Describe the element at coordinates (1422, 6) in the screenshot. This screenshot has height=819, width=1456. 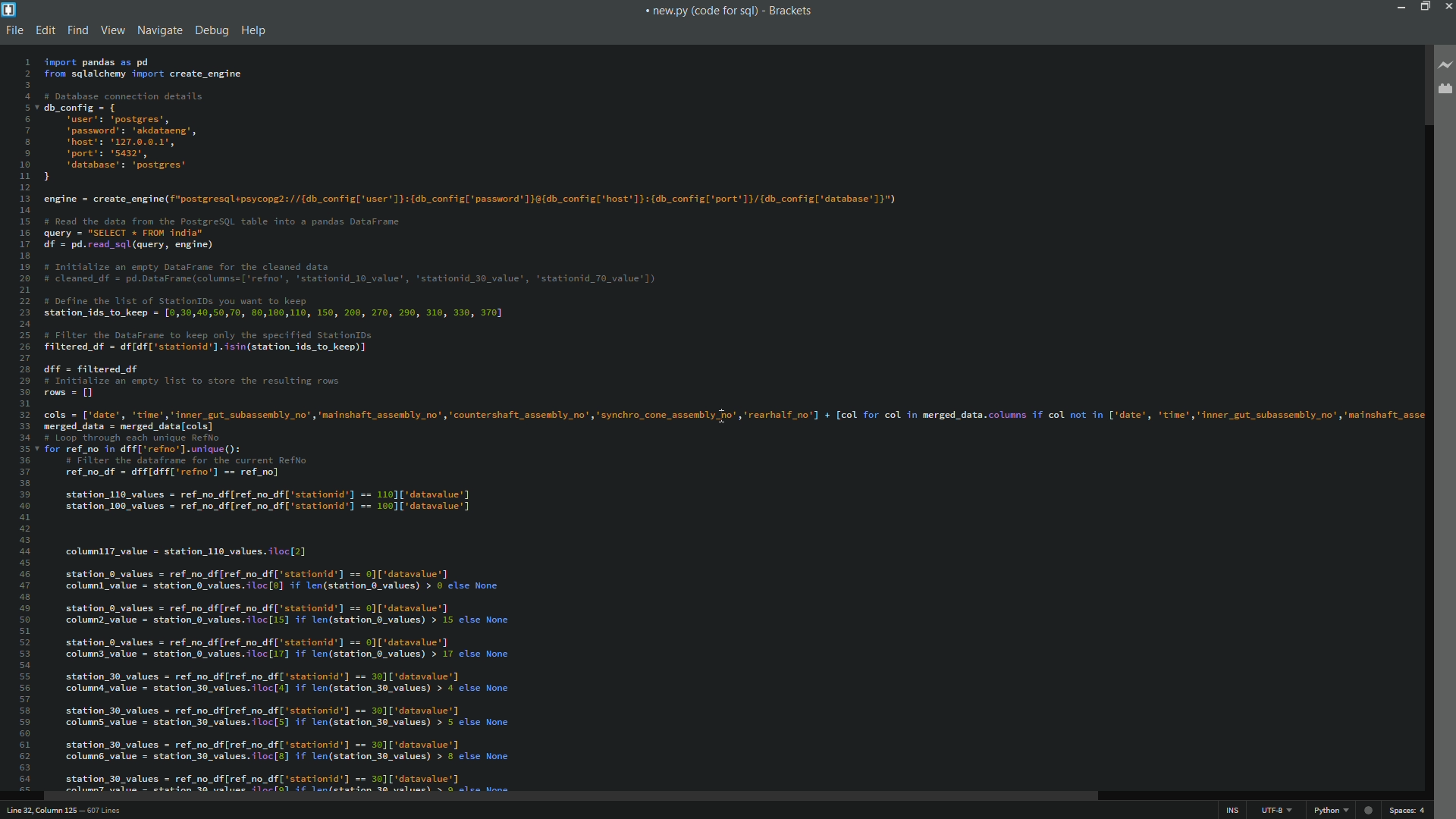
I see `maximize` at that location.